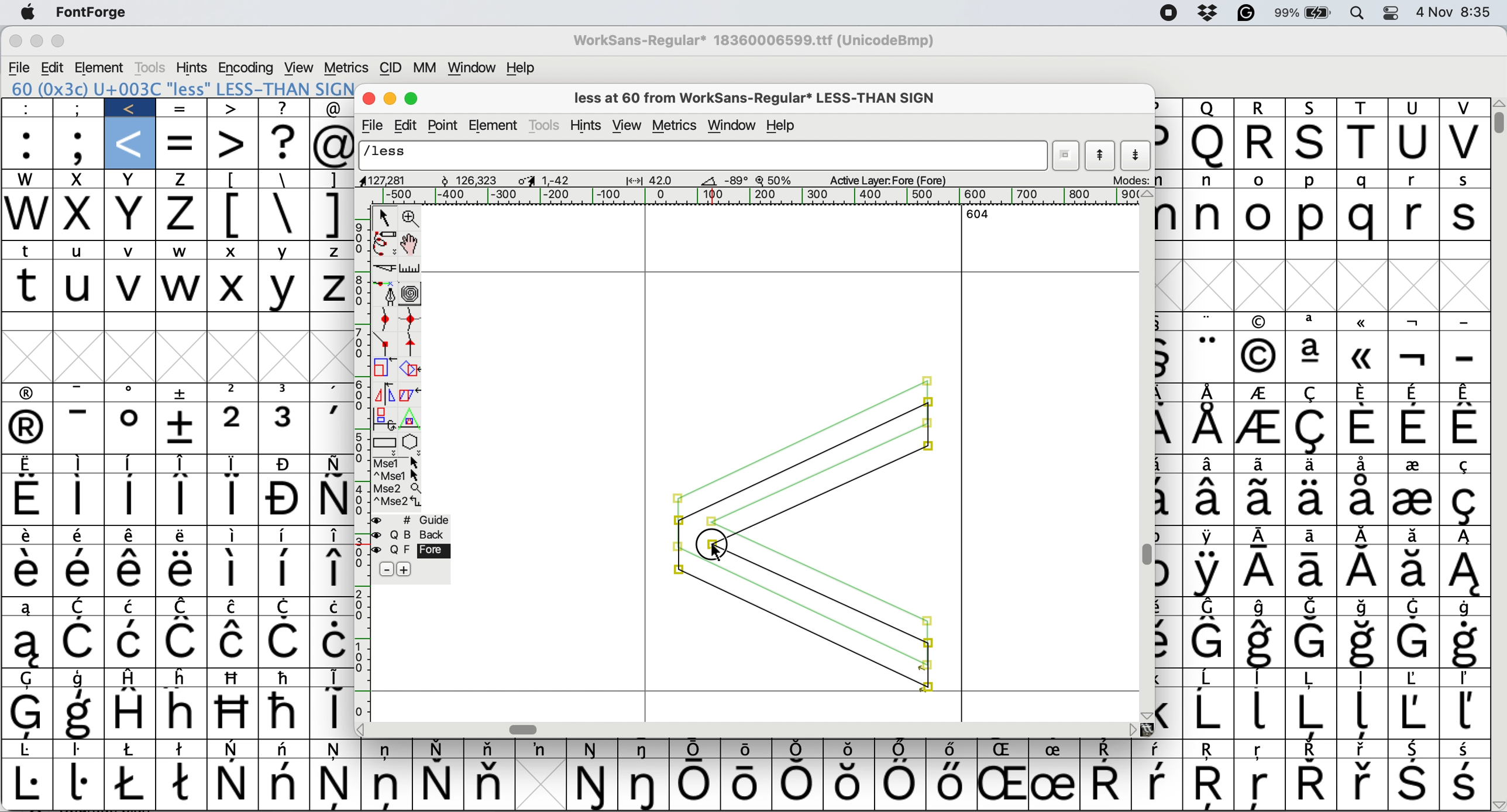  What do you see at coordinates (184, 748) in the screenshot?
I see `Symbol` at bounding box center [184, 748].